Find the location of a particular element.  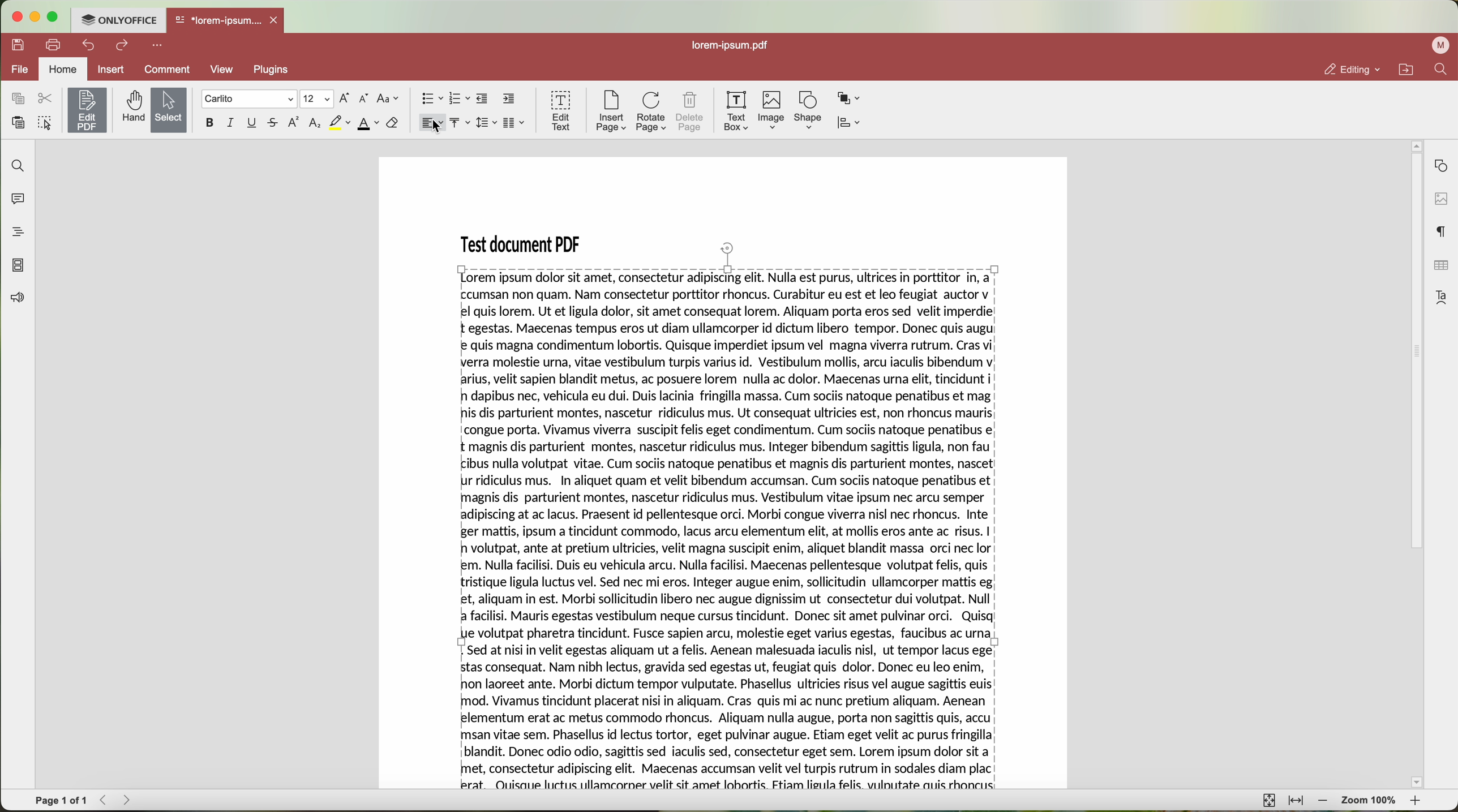

italic is located at coordinates (230, 123).